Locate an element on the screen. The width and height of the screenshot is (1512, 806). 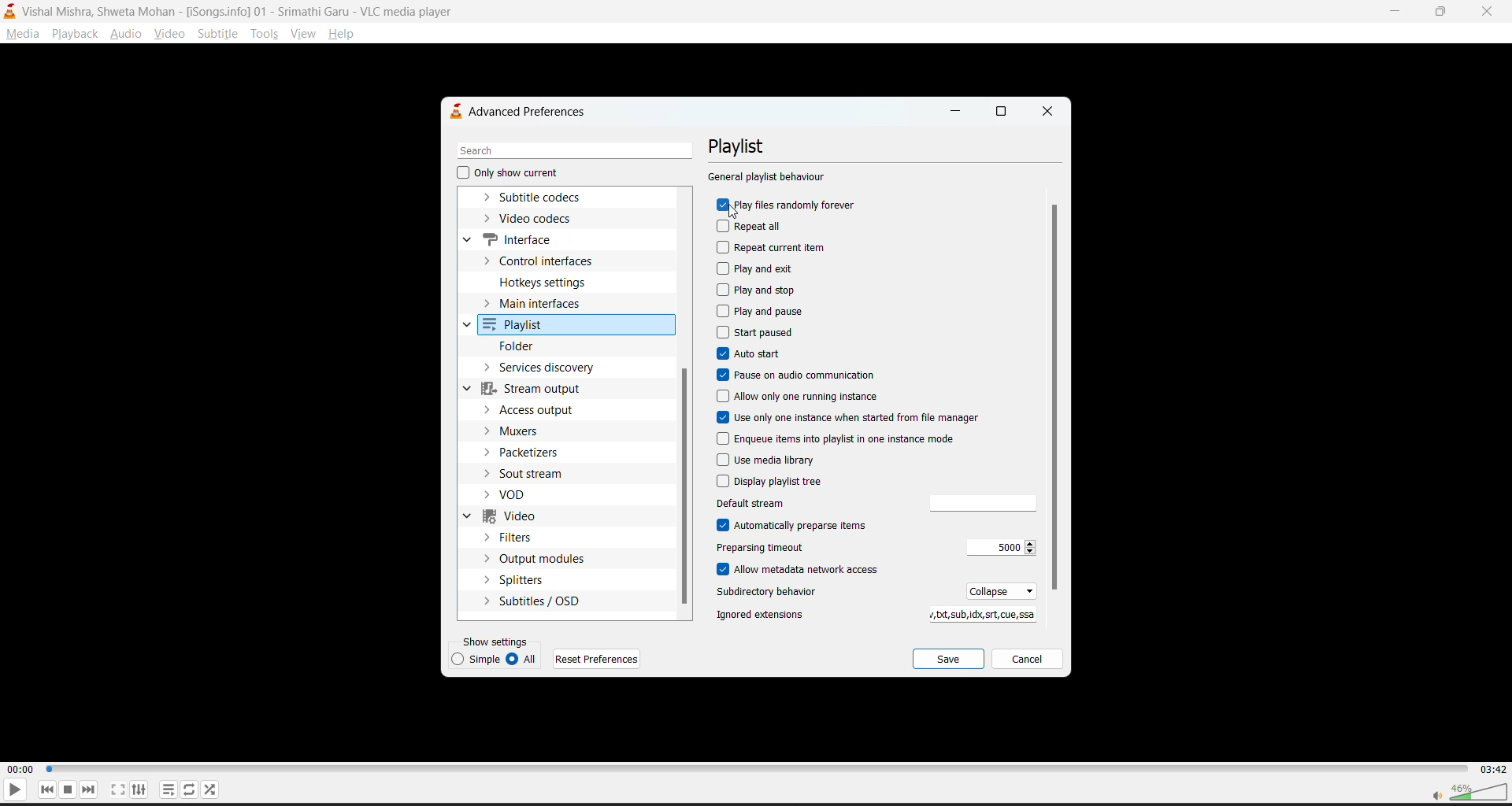
sout stream is located at coordinates (534, 475).